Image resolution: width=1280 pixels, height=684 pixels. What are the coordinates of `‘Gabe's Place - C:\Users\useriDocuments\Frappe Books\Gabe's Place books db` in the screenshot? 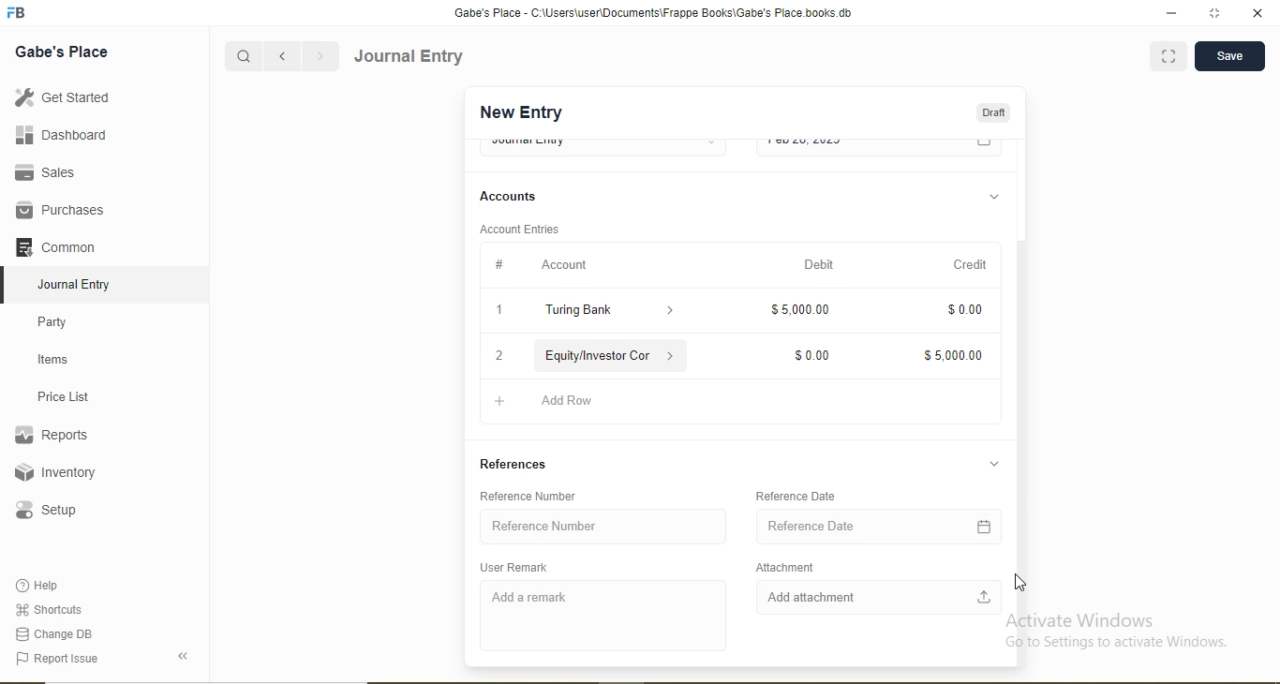 It's located at (652, 13).